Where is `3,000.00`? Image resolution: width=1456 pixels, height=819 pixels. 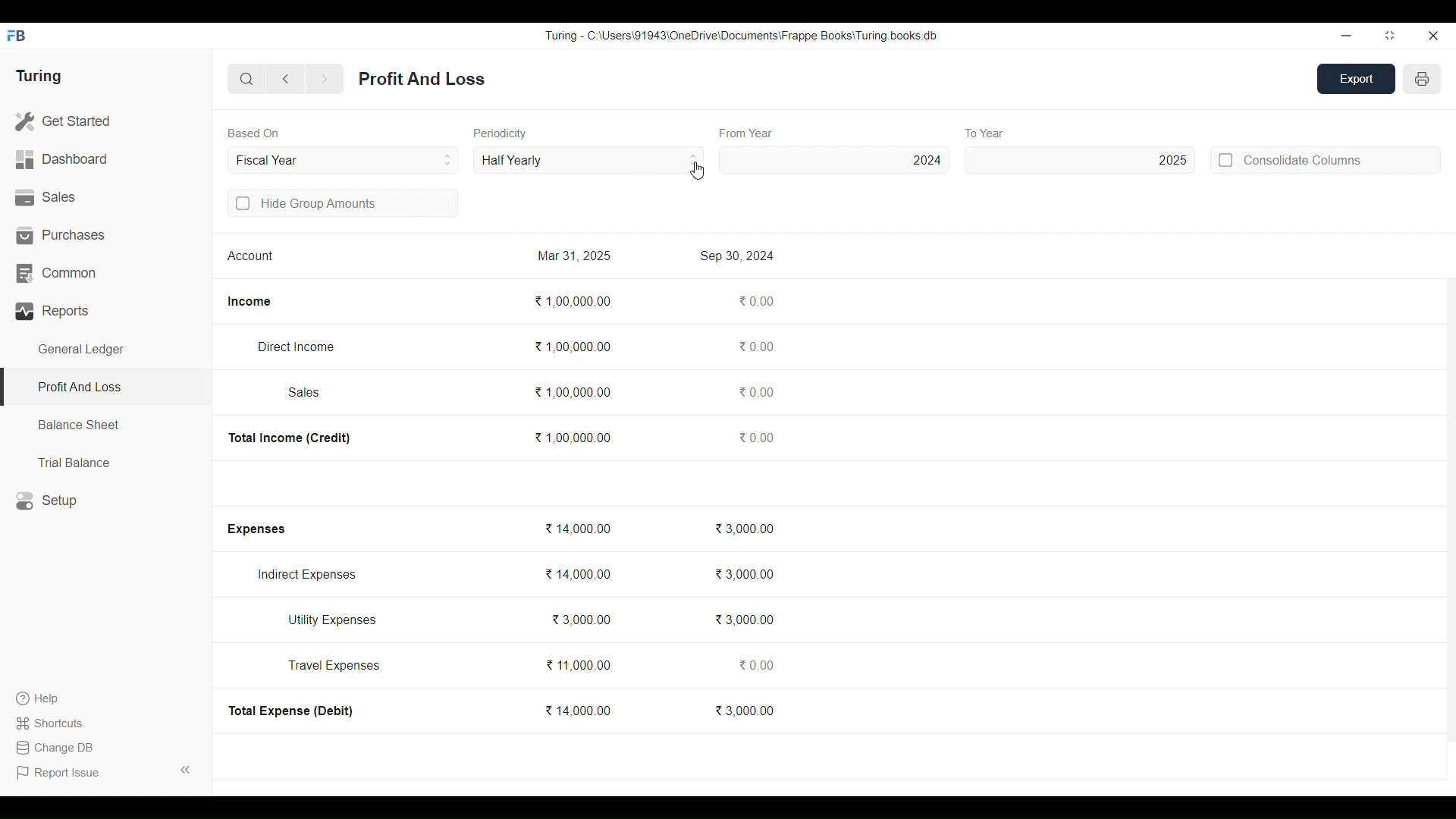 3,000.00 is located at coordinates (745, 710).